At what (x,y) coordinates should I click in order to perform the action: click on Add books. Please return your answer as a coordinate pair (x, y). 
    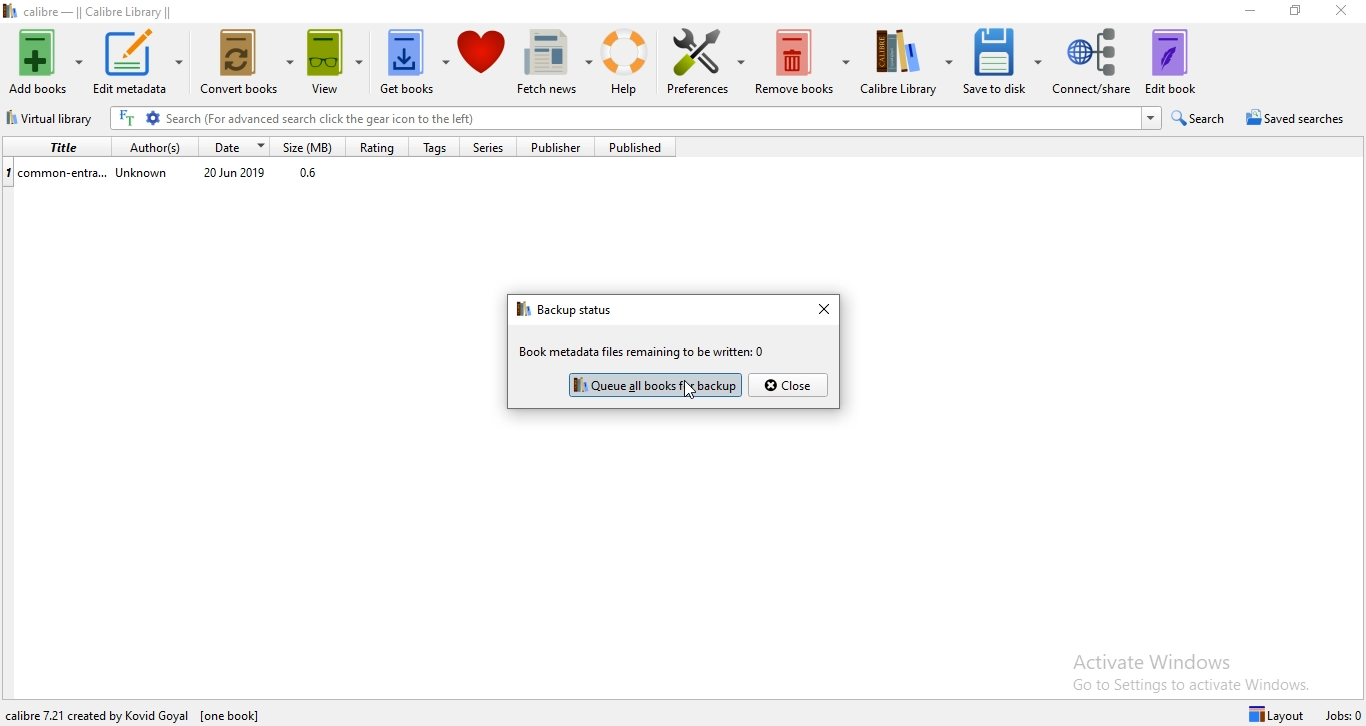
    Looking at the image, I should click on (44, 59).